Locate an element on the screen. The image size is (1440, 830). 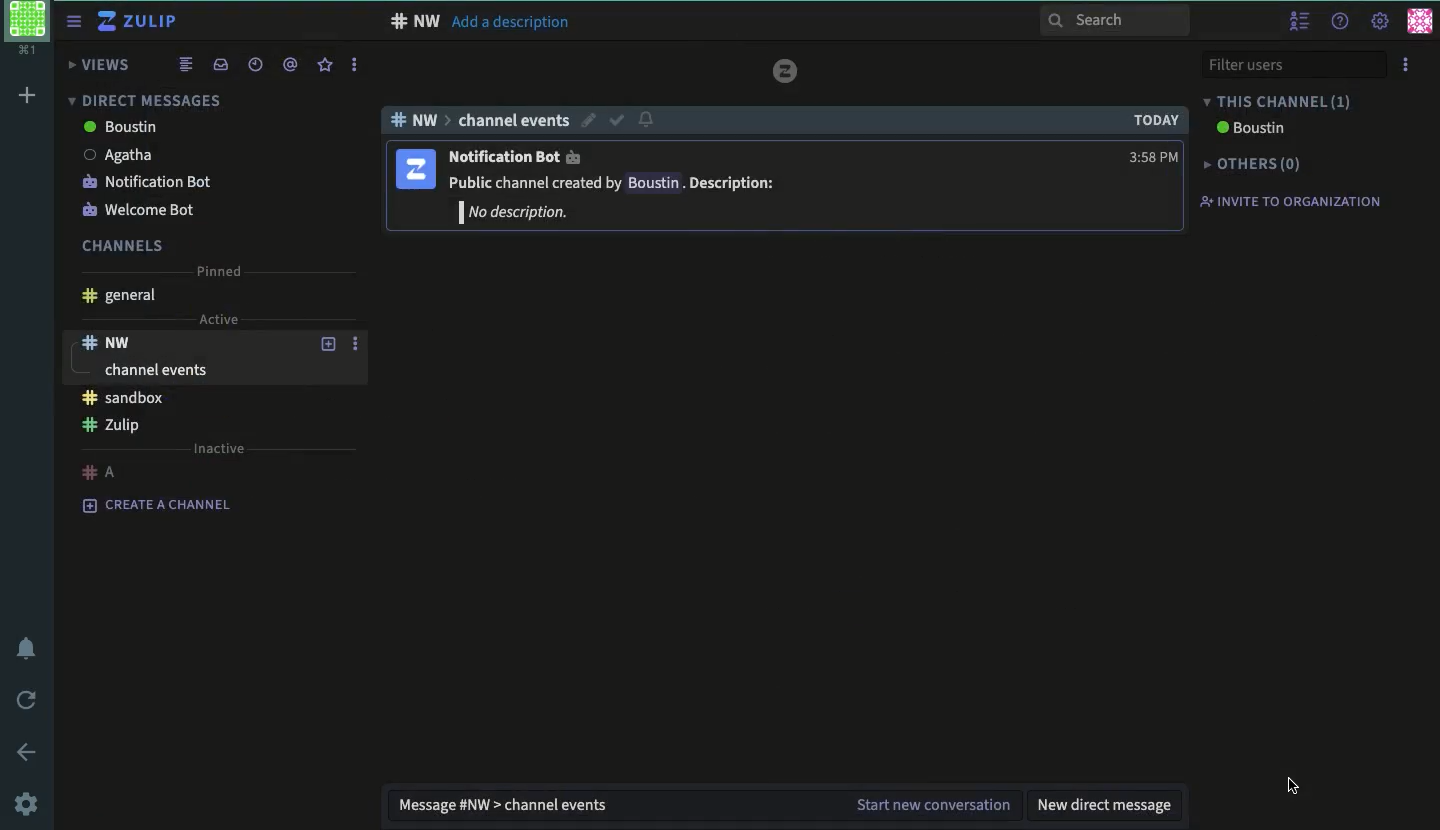
Zulip is located at coordinates (137, 21).